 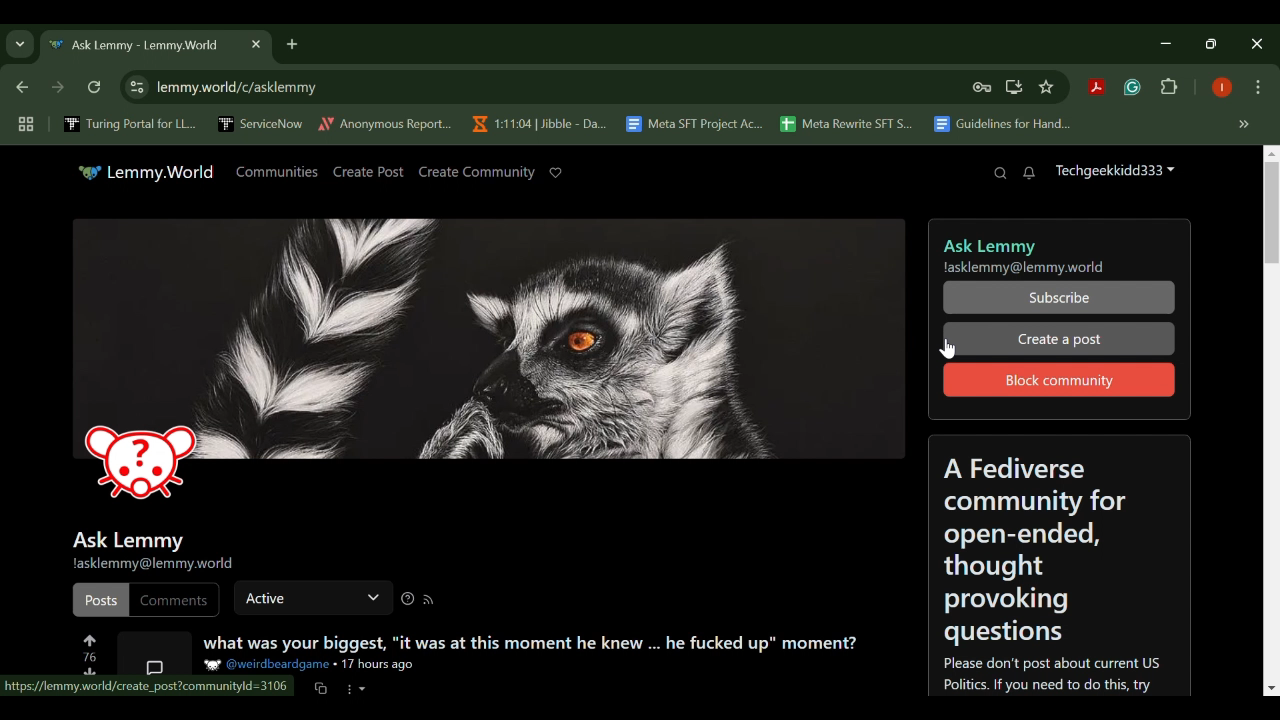 What do you see at coordinates (1222, 89) in the screenshot?
I see `Browser Profile ` at bounding box center [1222, 89].